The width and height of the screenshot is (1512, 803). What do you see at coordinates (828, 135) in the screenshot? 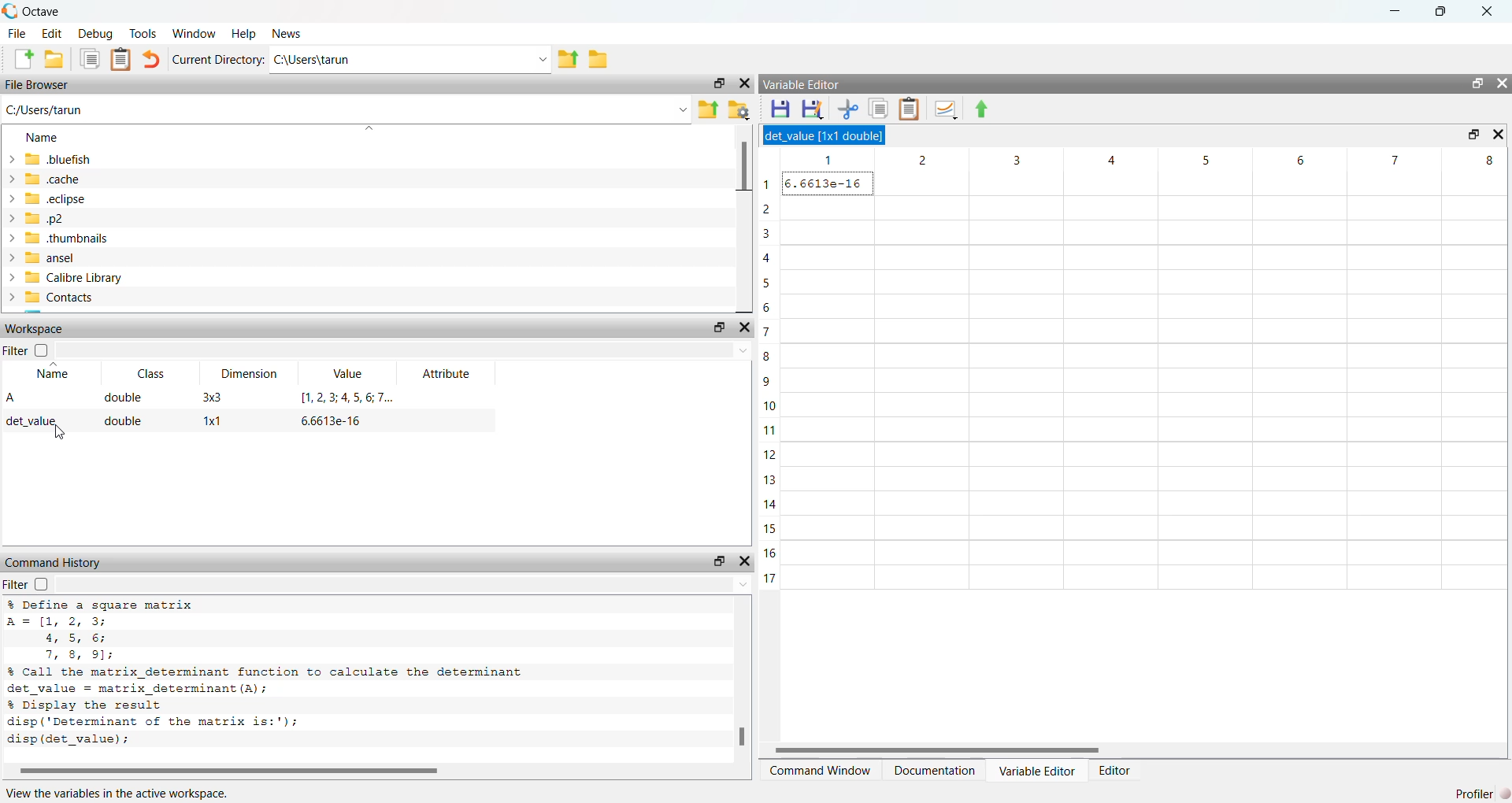
I see `det_value [1x1 double] ` at bounding box center [828, 135].